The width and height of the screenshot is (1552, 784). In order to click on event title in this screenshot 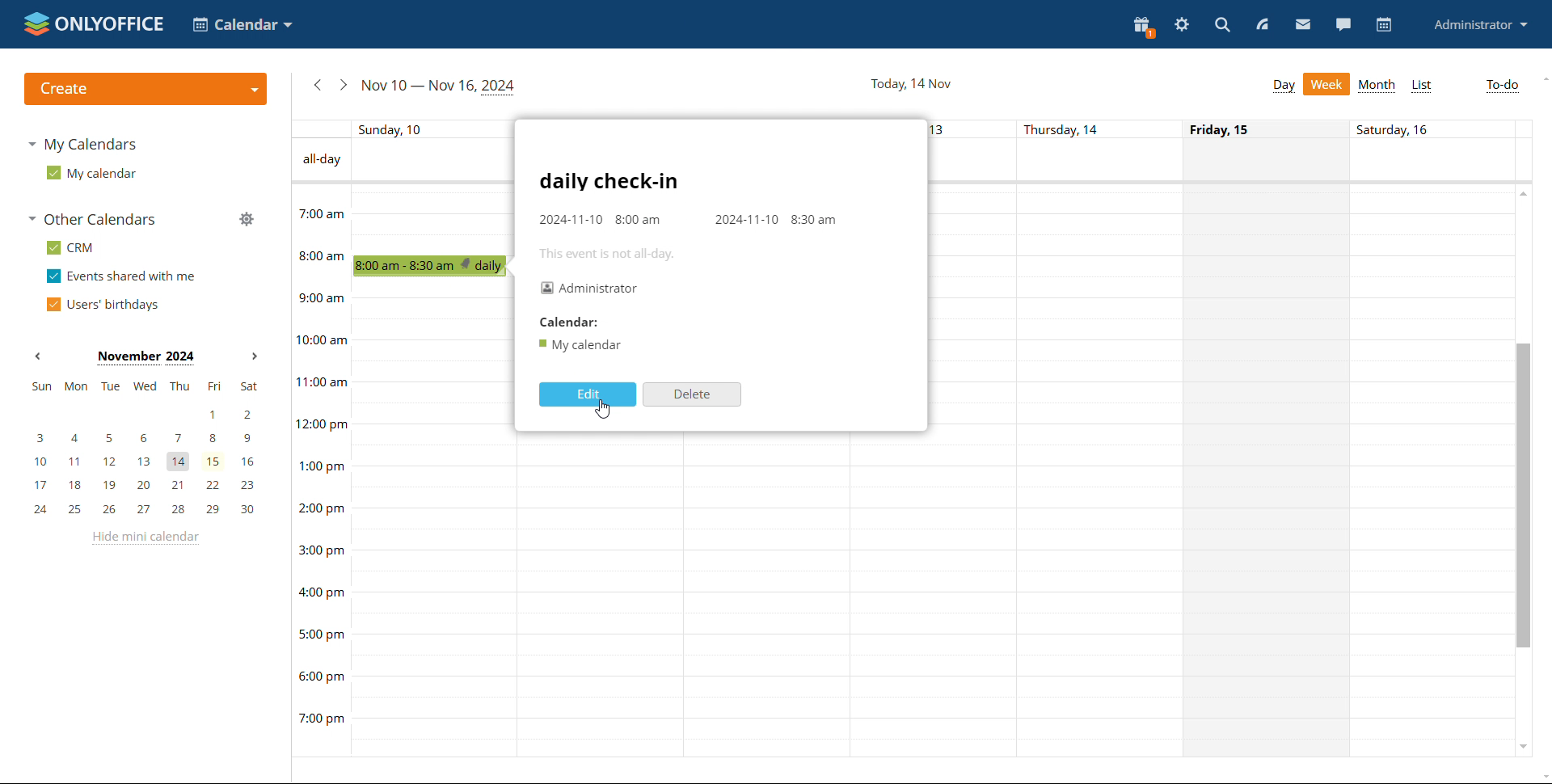, I will do `click(609, 181)`.